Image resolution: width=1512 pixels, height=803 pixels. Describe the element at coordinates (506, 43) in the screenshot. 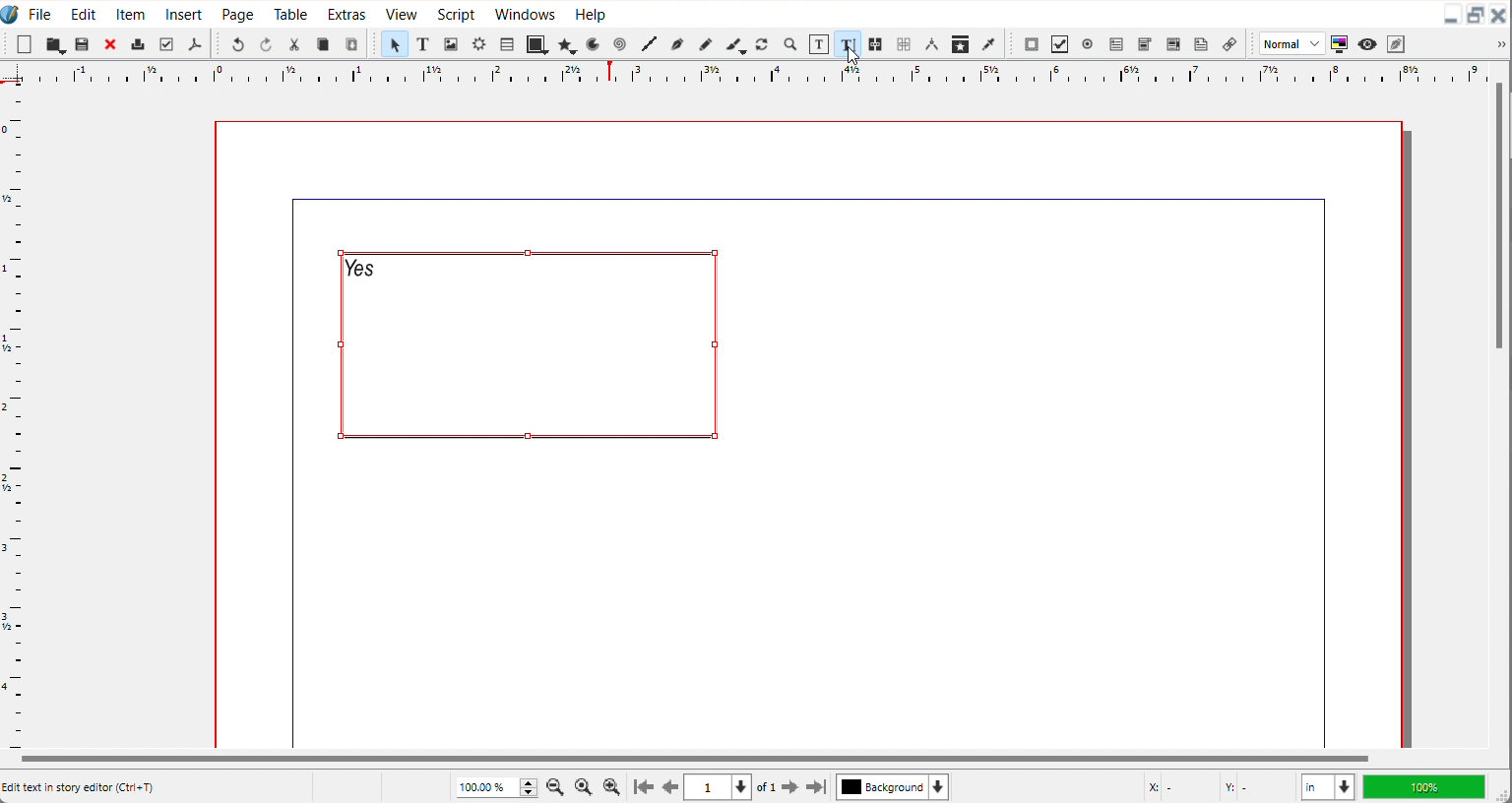

I see `Table` at that location.